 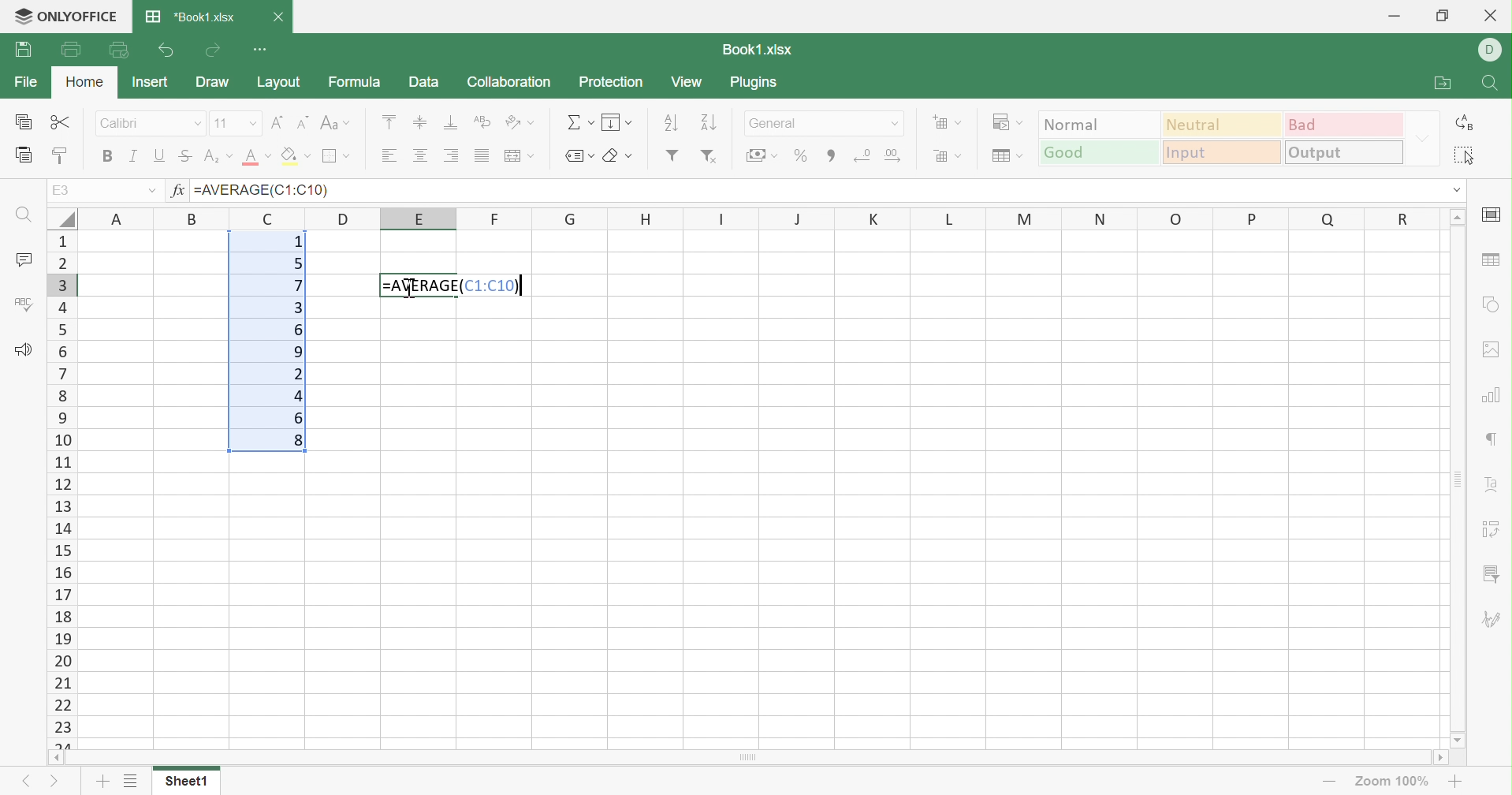 I want to click on Align Top, so click(x=389, y=123).